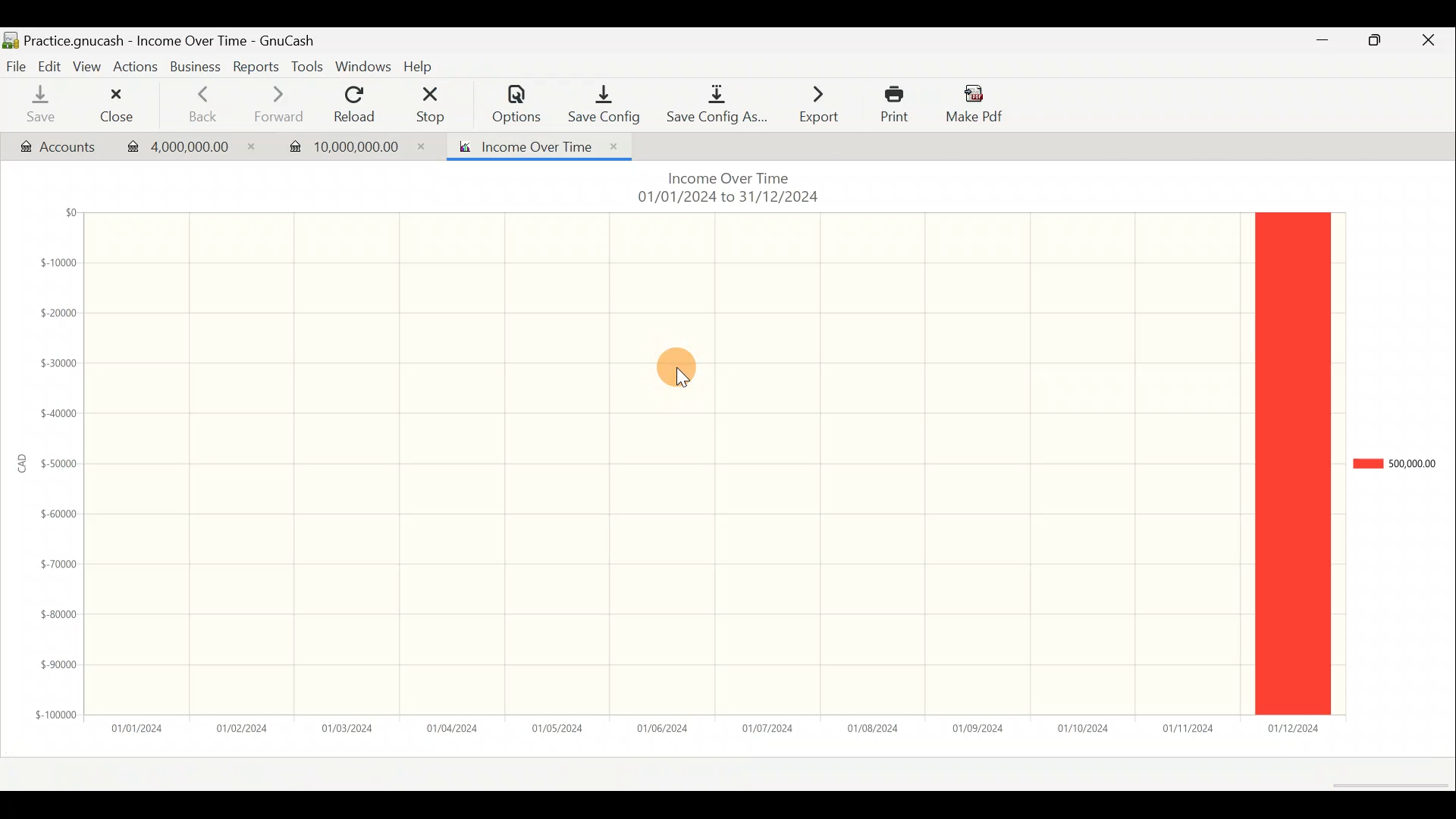  Describe the element at coordinates (59, 664) in the screenshot. I see `$-90000` at that location.